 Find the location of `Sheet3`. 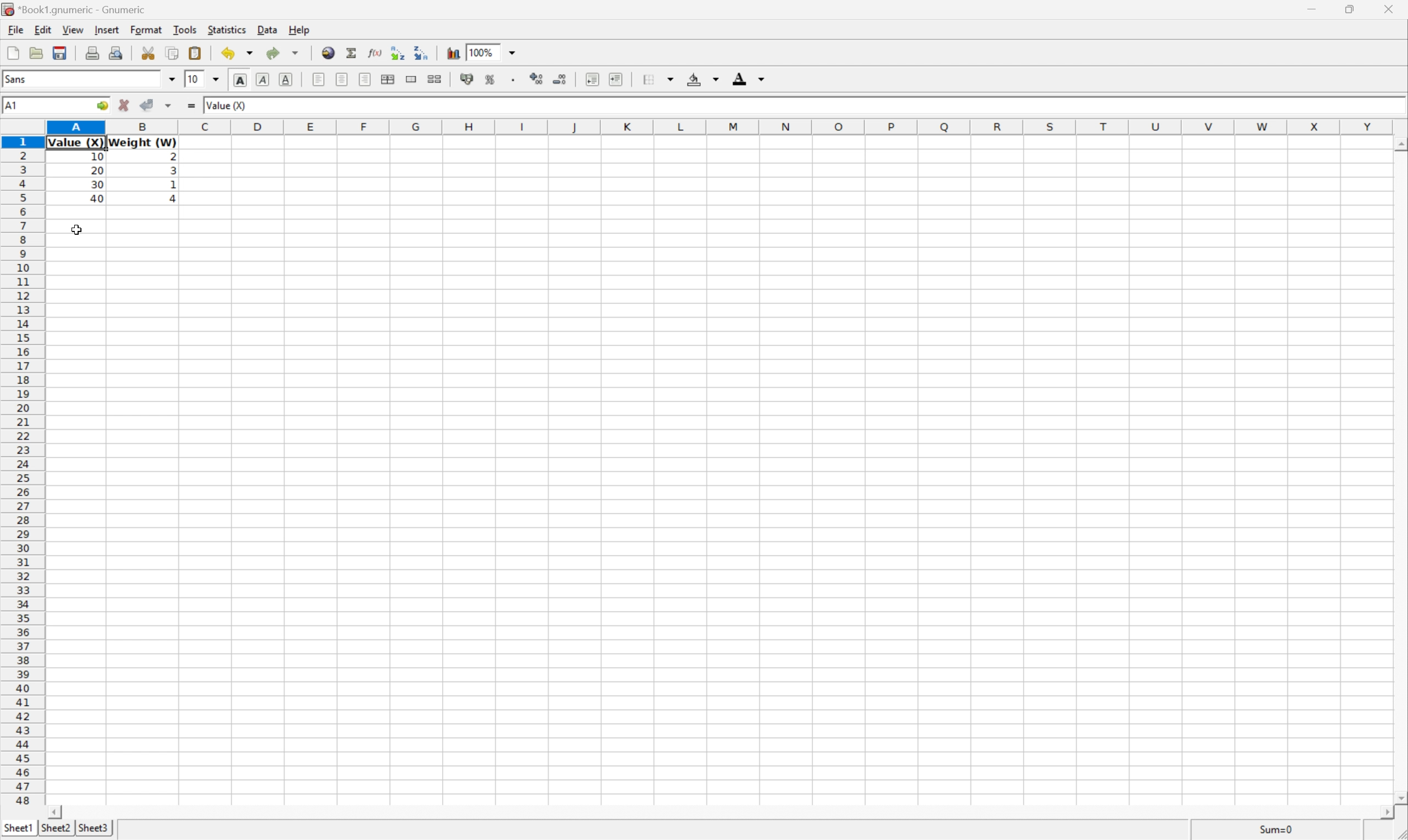

Sheet3 is located at coordinates (95, 829).